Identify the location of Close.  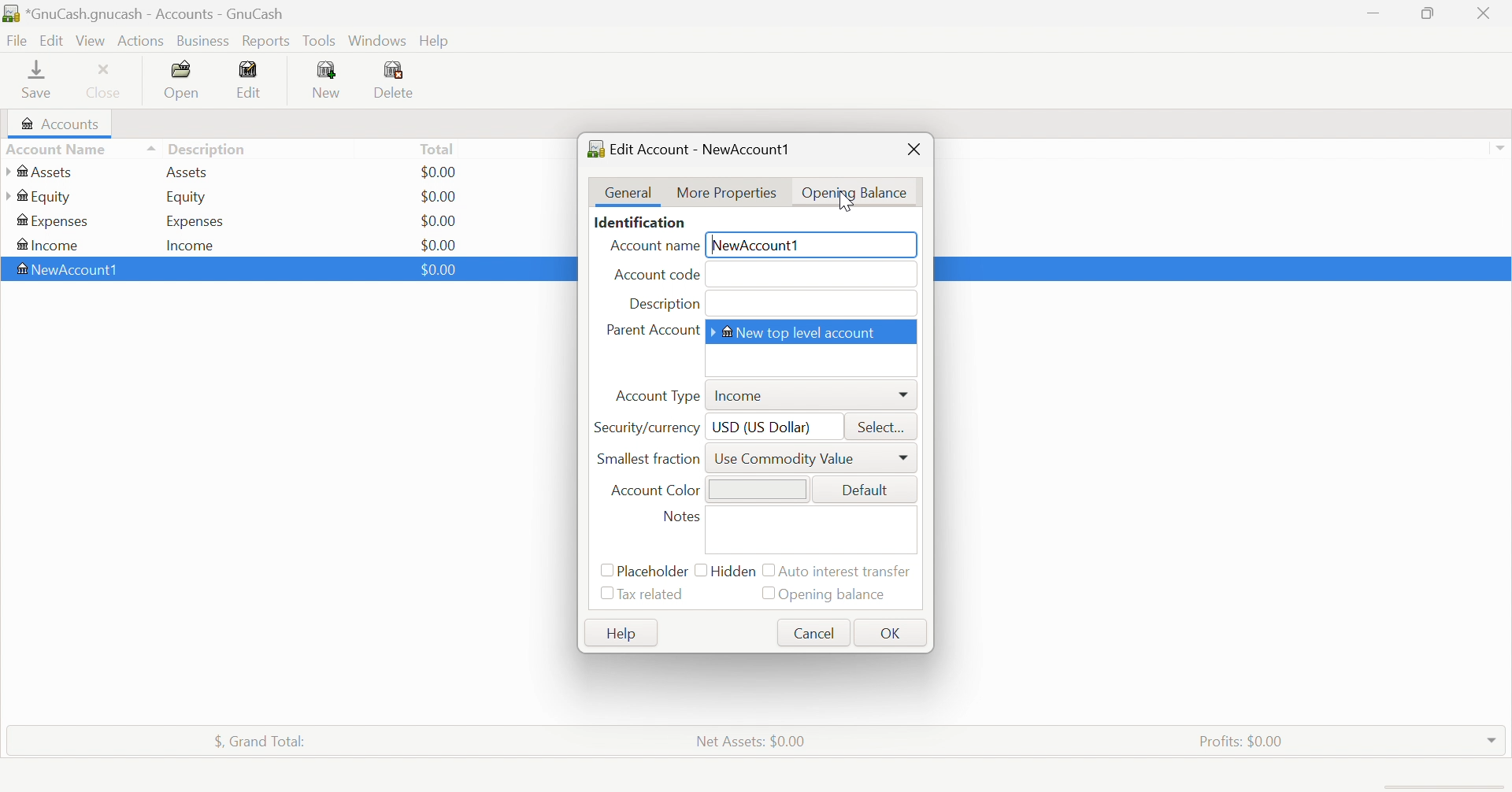
(1486, 13).